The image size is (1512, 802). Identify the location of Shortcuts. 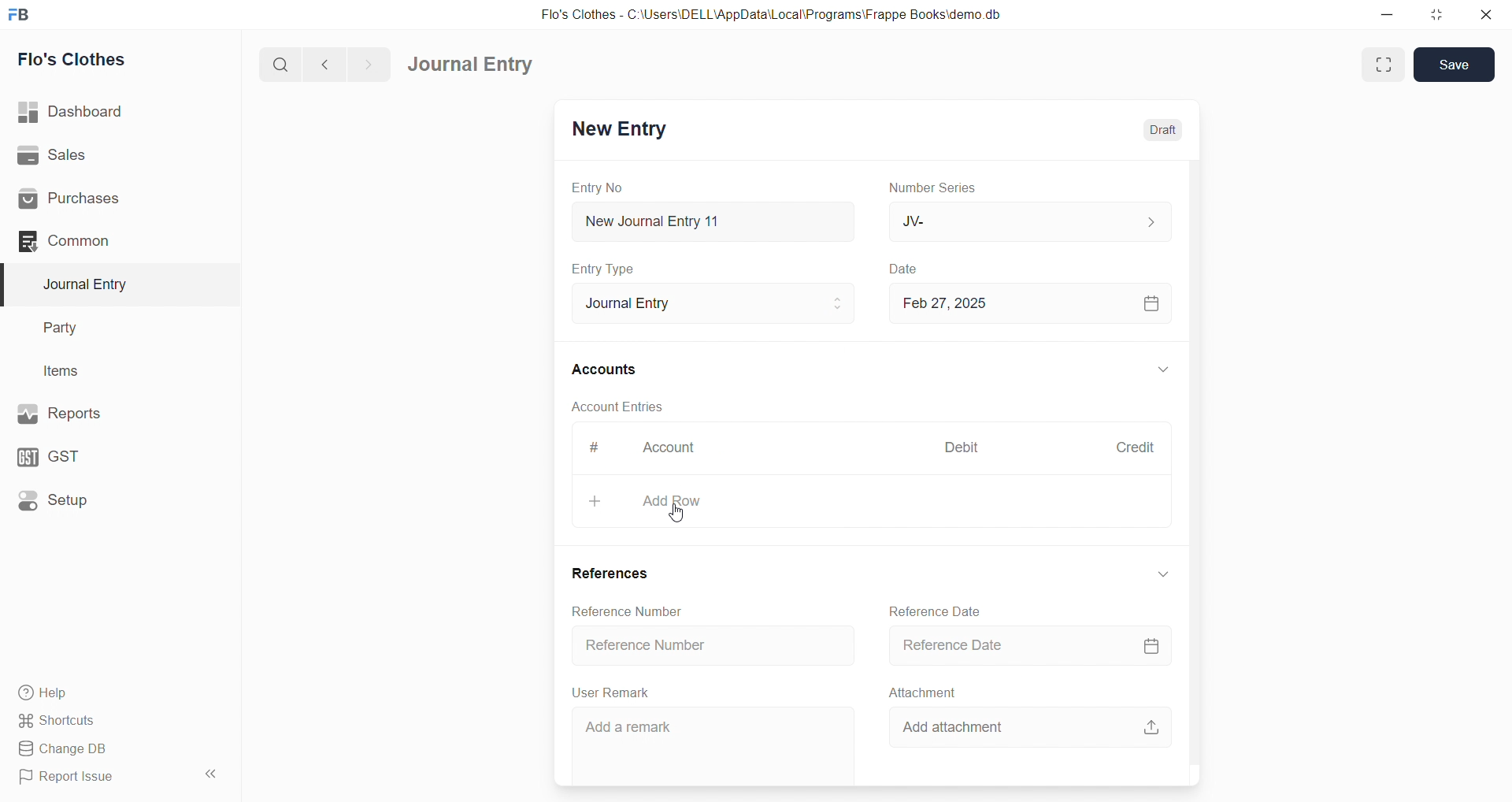
(95, 722).